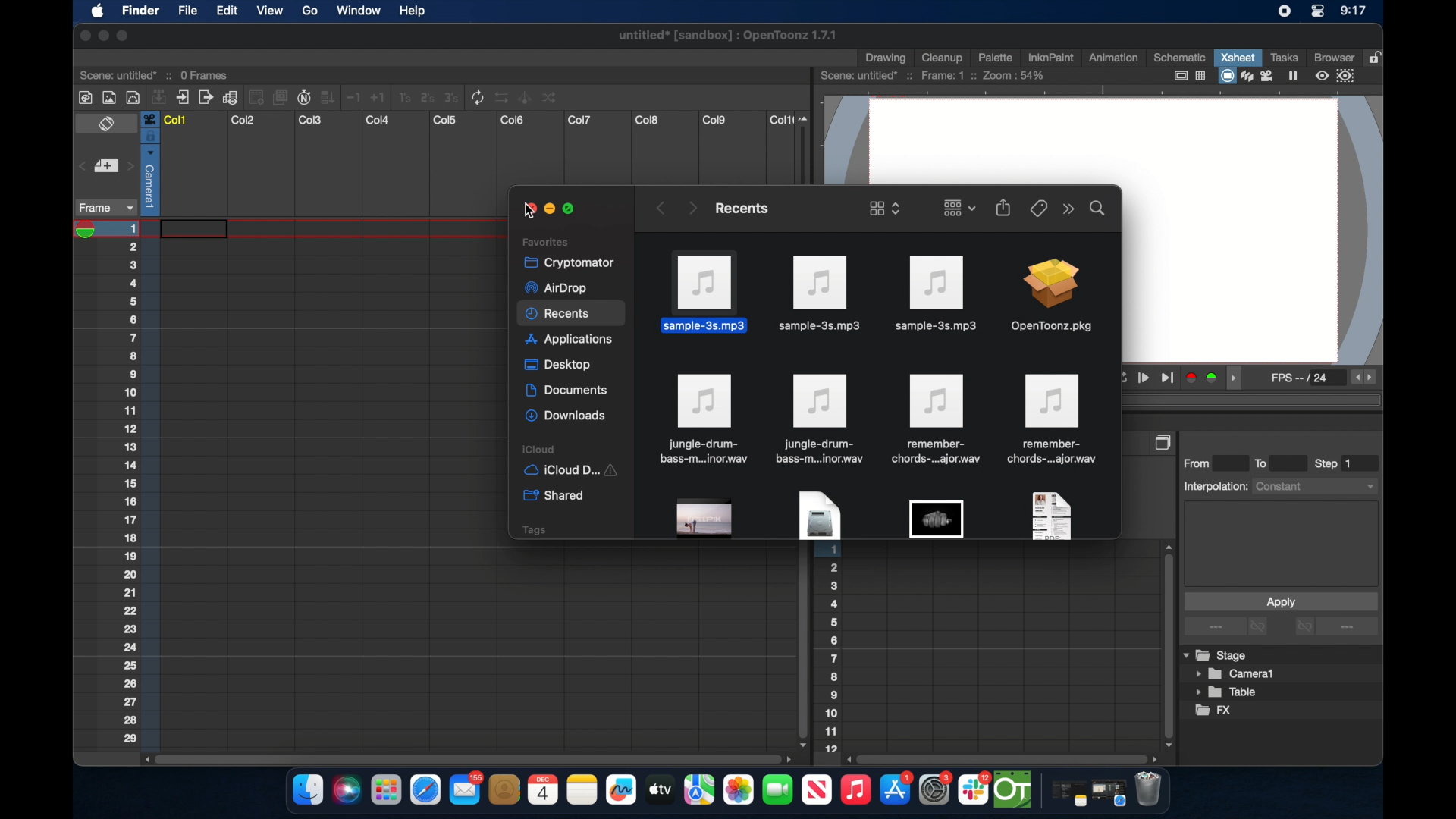 The image size is (1456, 819). What do you see at coordinates (308, 790) in the screenshot?
I see `finder` at bounding box center [308, 790].